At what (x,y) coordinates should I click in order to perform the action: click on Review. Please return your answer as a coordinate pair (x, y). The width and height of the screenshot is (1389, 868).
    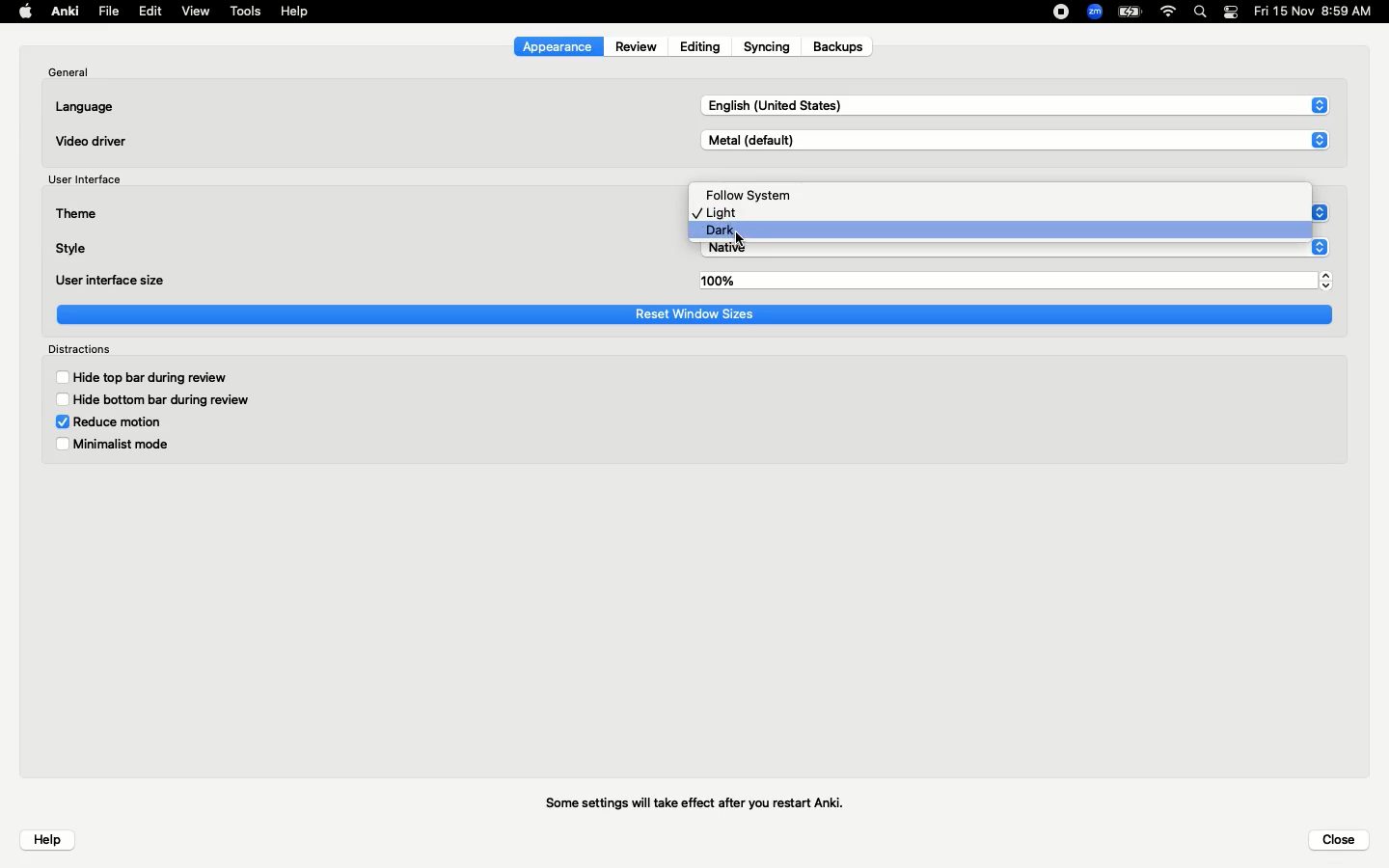
    Looking at the image, I should click on (640, 46).